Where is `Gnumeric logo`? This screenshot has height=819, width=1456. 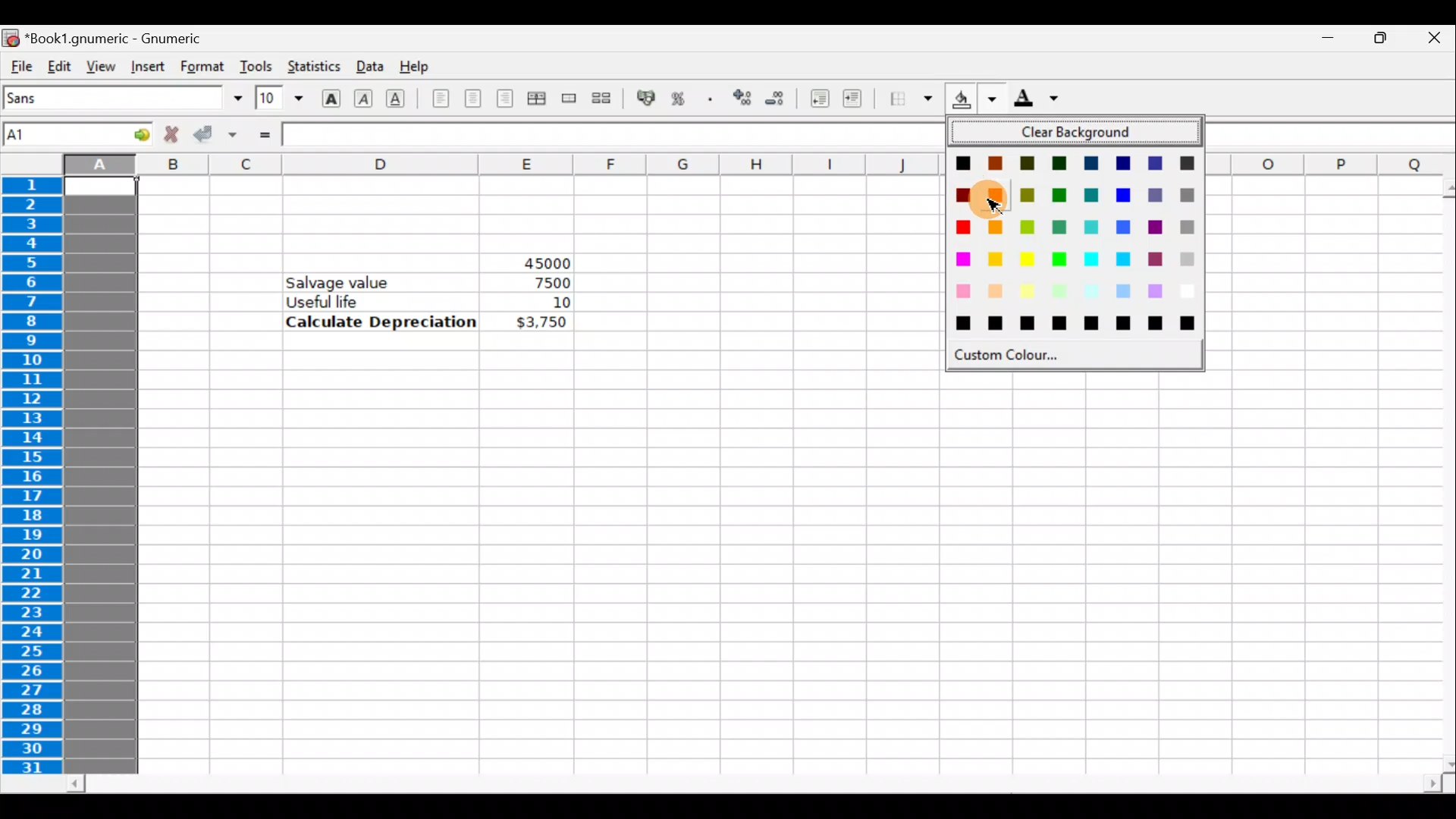
Gnumeric logo is located at coordinates (11, 37).